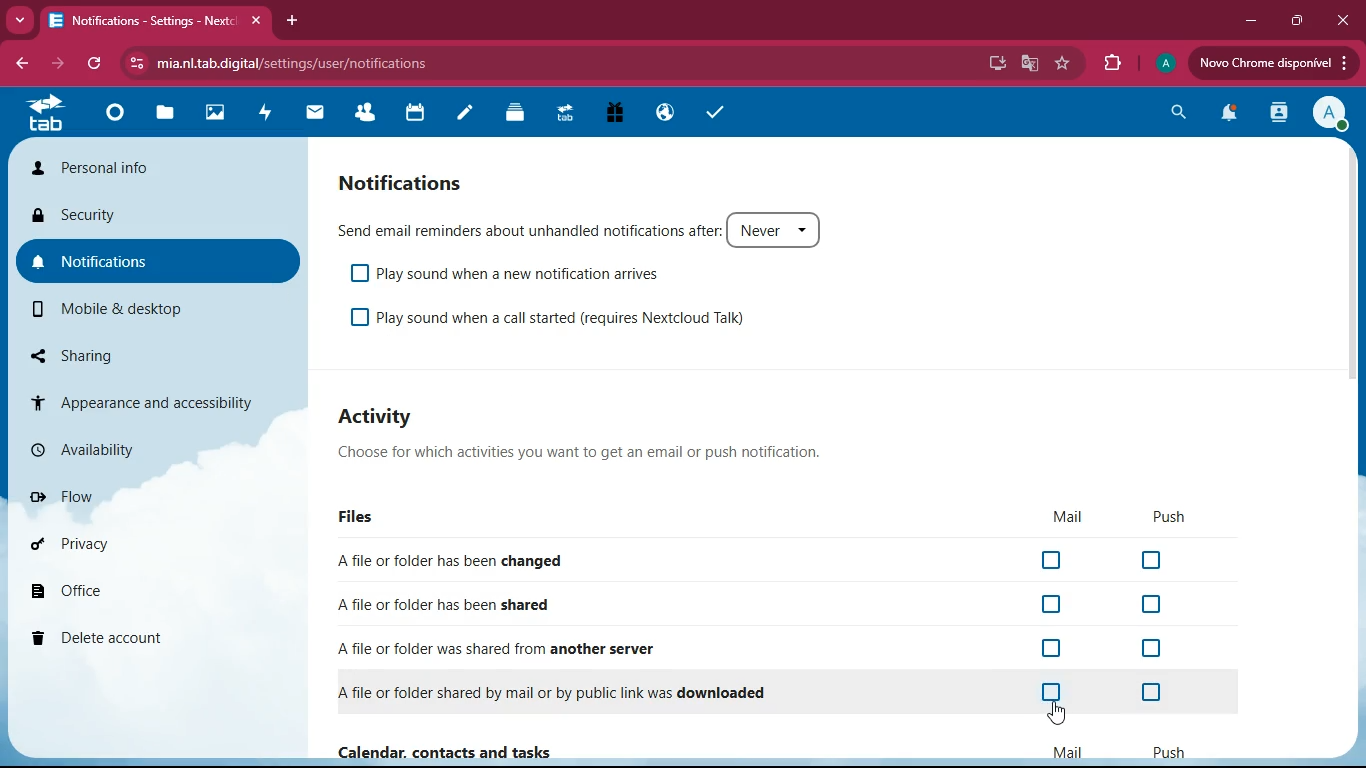 This screenshot has width=1366, height=768. What do you see at coordinates (165, 259) in the screenshot?
I see `notifications` at bounding box center [165, 259].